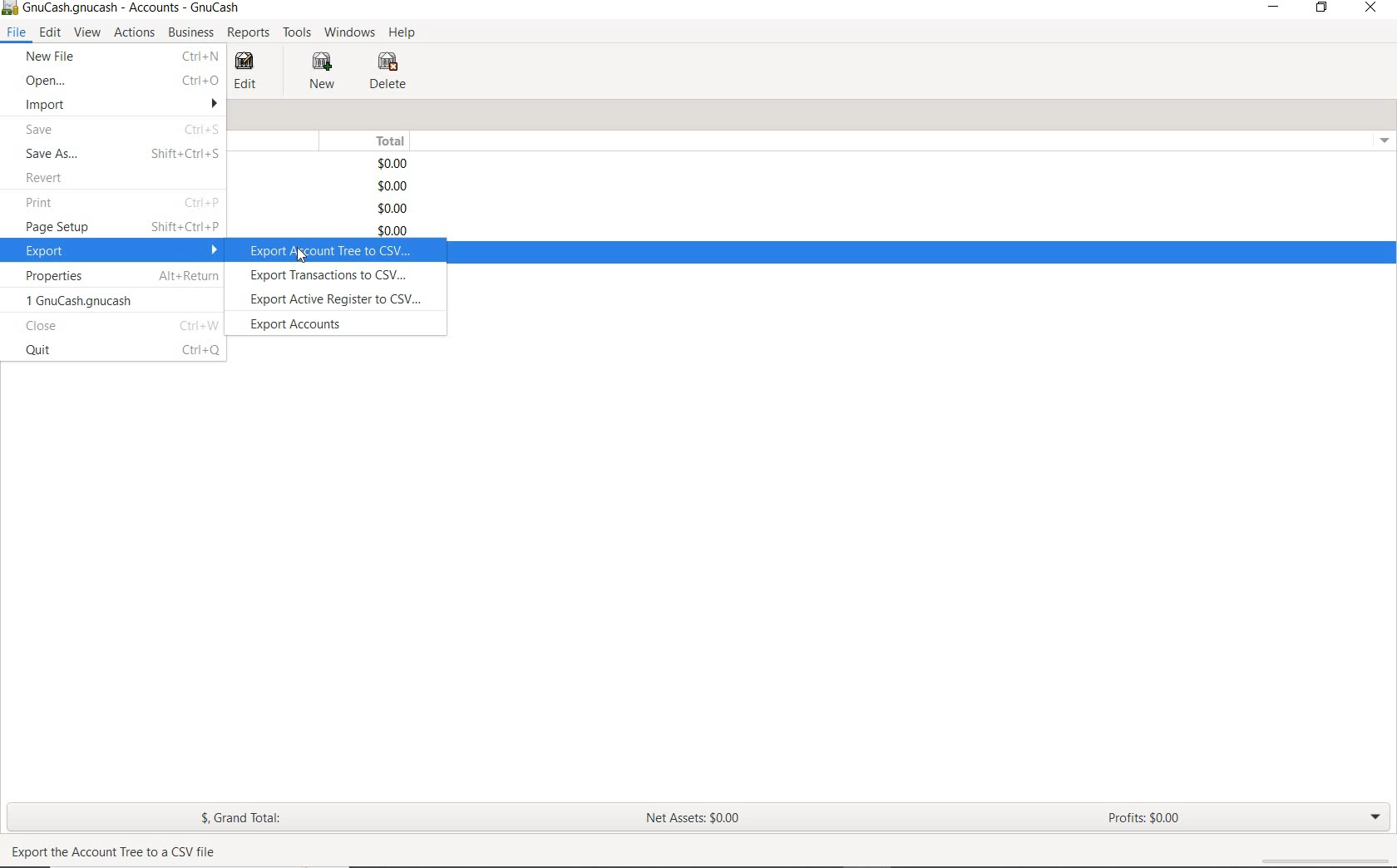 The height and width of the screenshot is (868, 1397). Describe the element at coordinates (300, 255) in the screenshot. I see `cursor` at that location.